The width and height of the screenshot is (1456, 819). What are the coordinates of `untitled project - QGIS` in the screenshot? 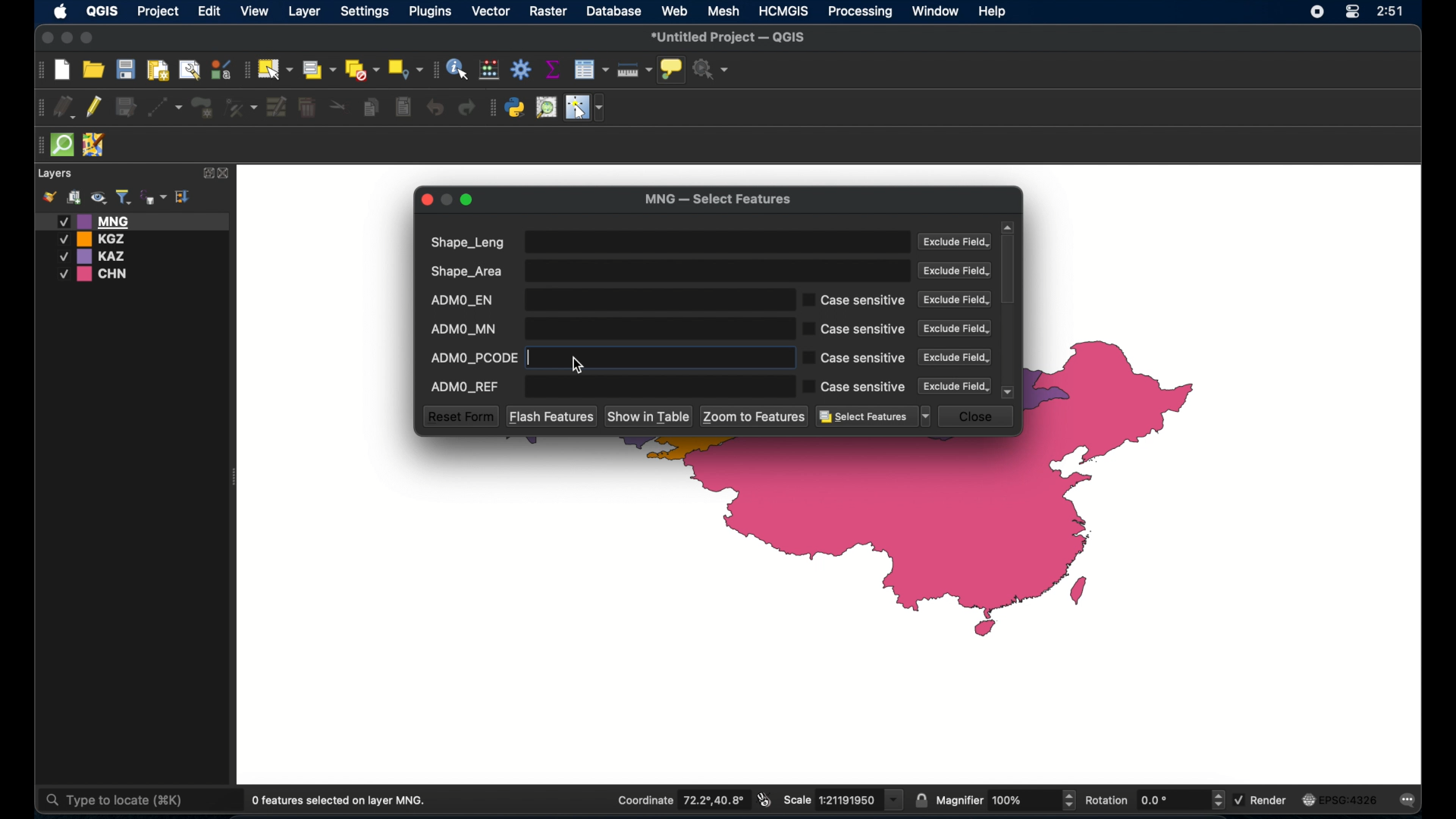 It's located at (730, 37).